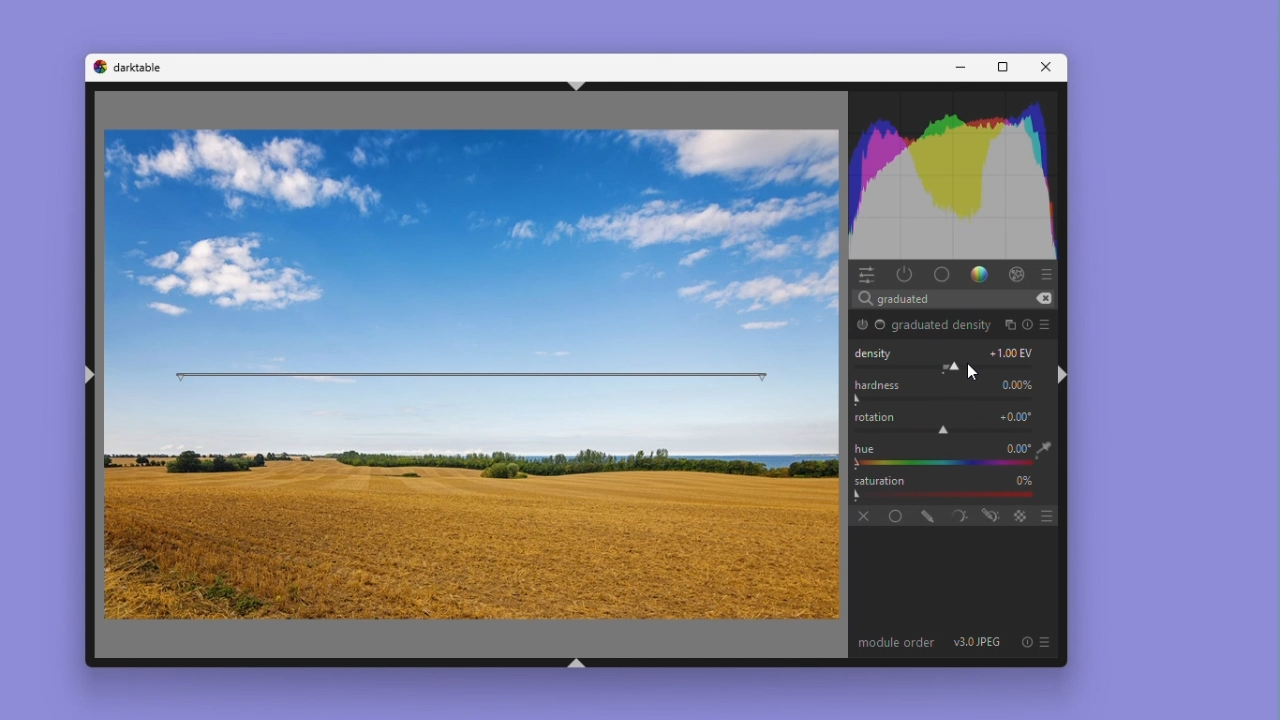 The image size is (1280, 720). What do you see at coordinates (98, 67) in the screenshot?
I see `darktable logo` at bounding box center [98, 67].